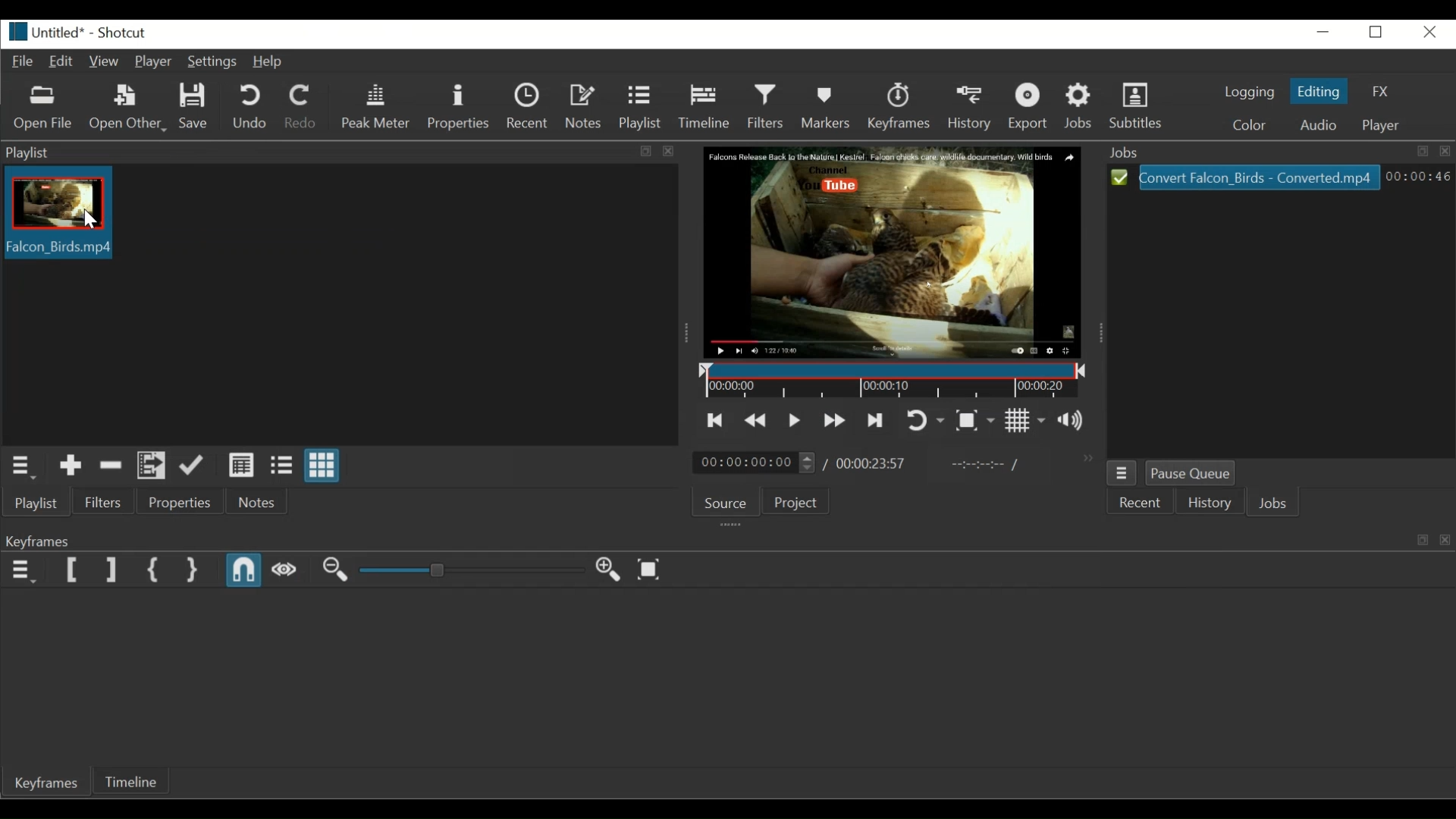 This screenshot has width=1456, height=819. I want to click on Add files to the playlist, so click(152, 467).